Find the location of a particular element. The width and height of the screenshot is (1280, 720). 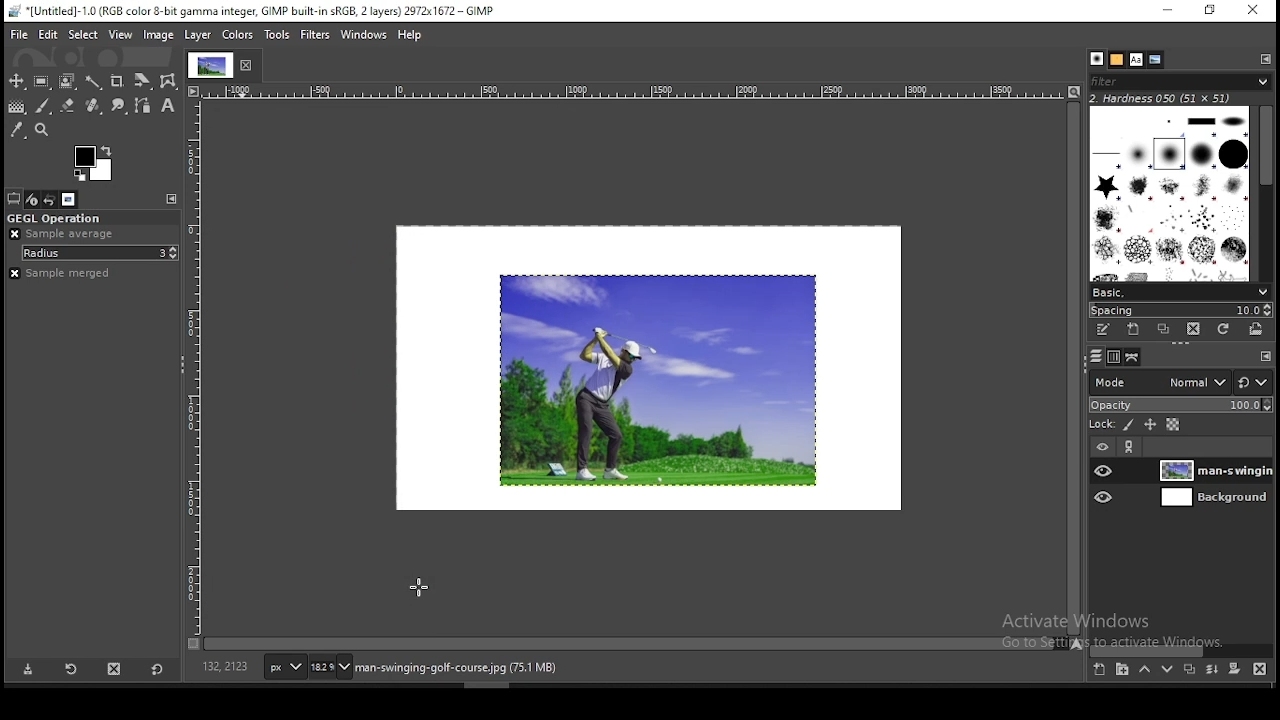

gradient tool is located at coordinates (16, 105).